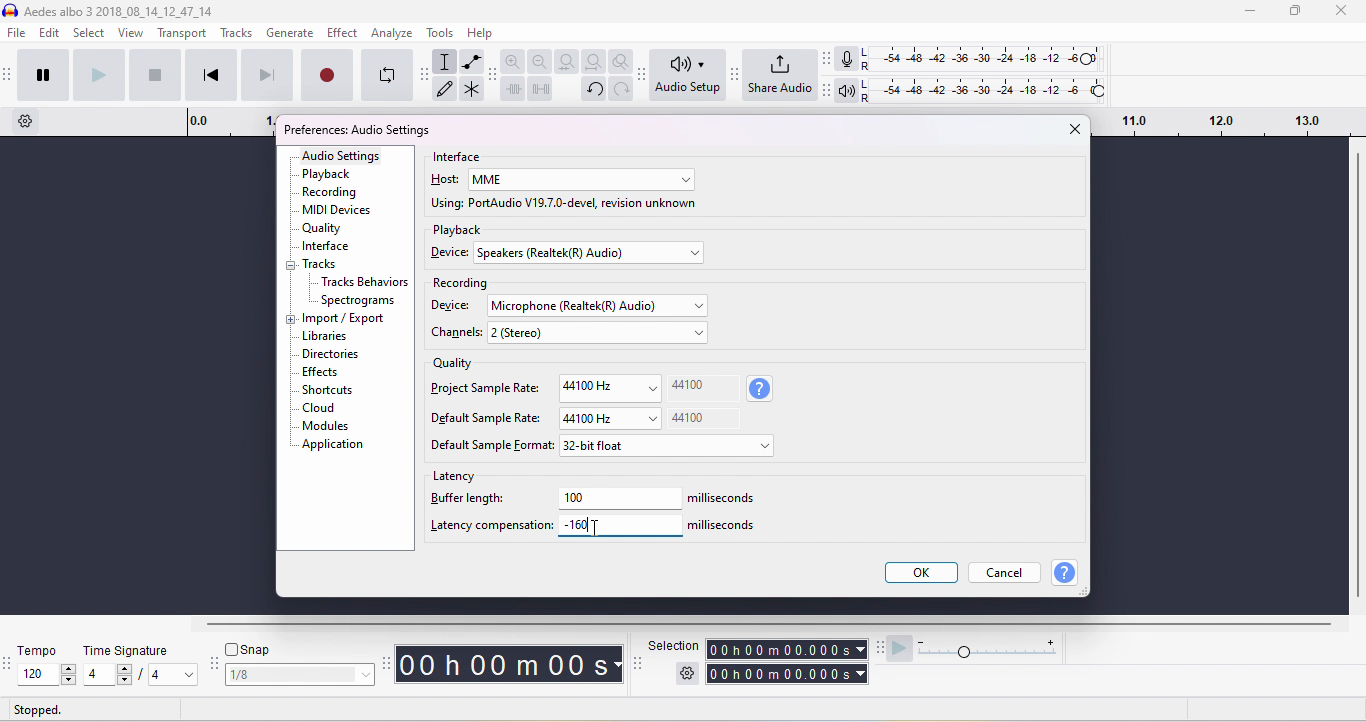 This screenshot has height=722, width=1366. I want to click on tempo, so click(40, 652).